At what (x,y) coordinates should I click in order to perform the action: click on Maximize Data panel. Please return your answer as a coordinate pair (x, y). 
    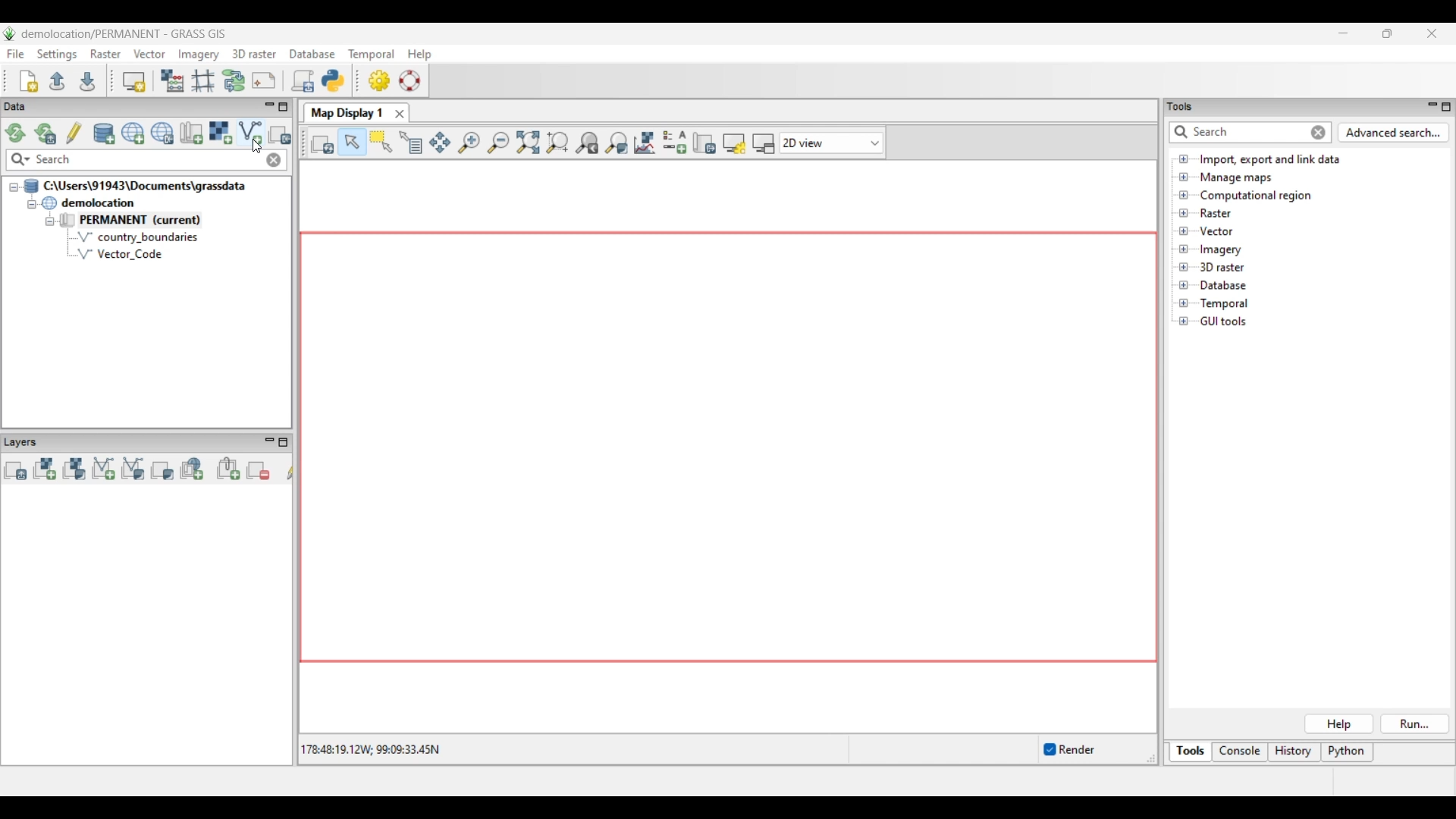
    Looking at the image, I should click on (284, 107).